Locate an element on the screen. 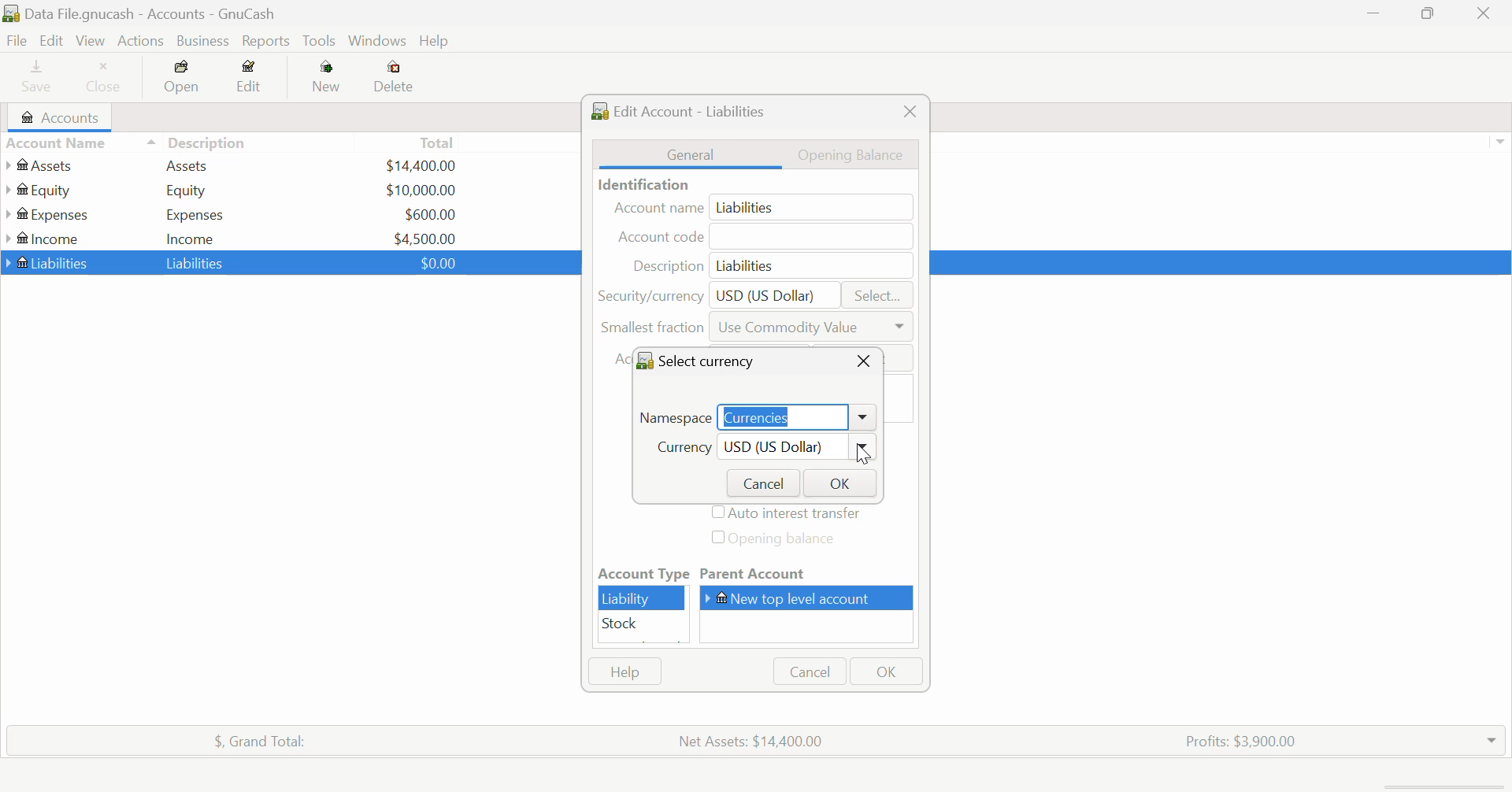 This screenshot has width=1512, height=792. Account Type is located at coordinates (642, 574).